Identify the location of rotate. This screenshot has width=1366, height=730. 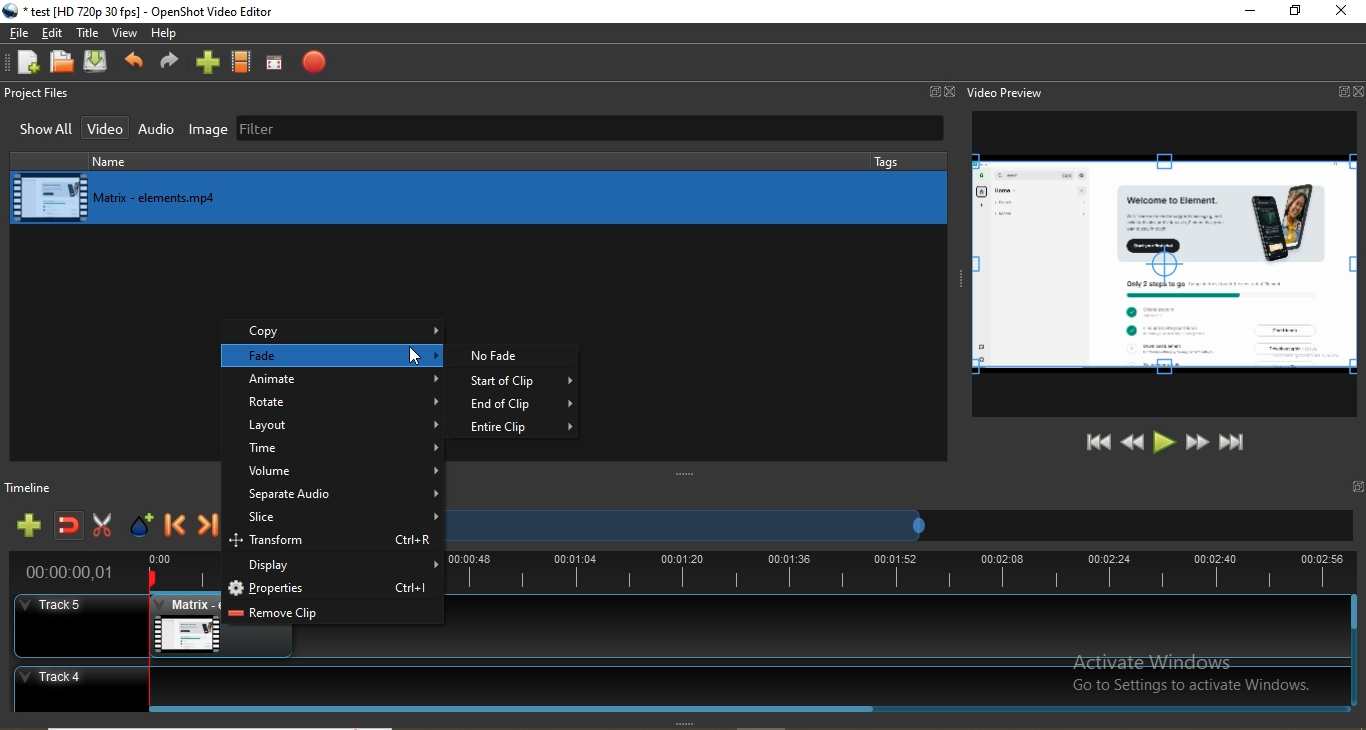
(330, 402).